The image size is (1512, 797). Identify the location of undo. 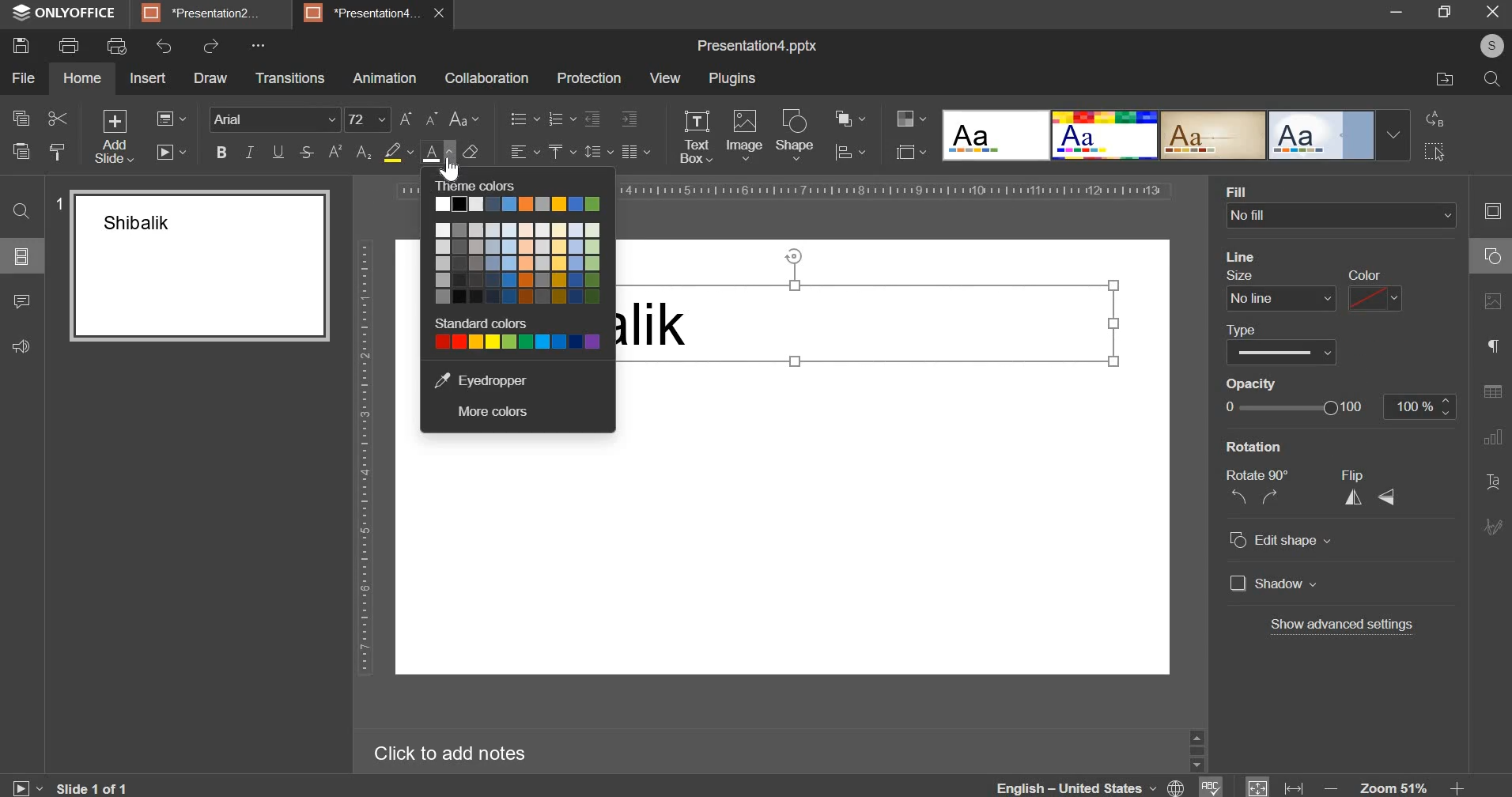
(164, 45).